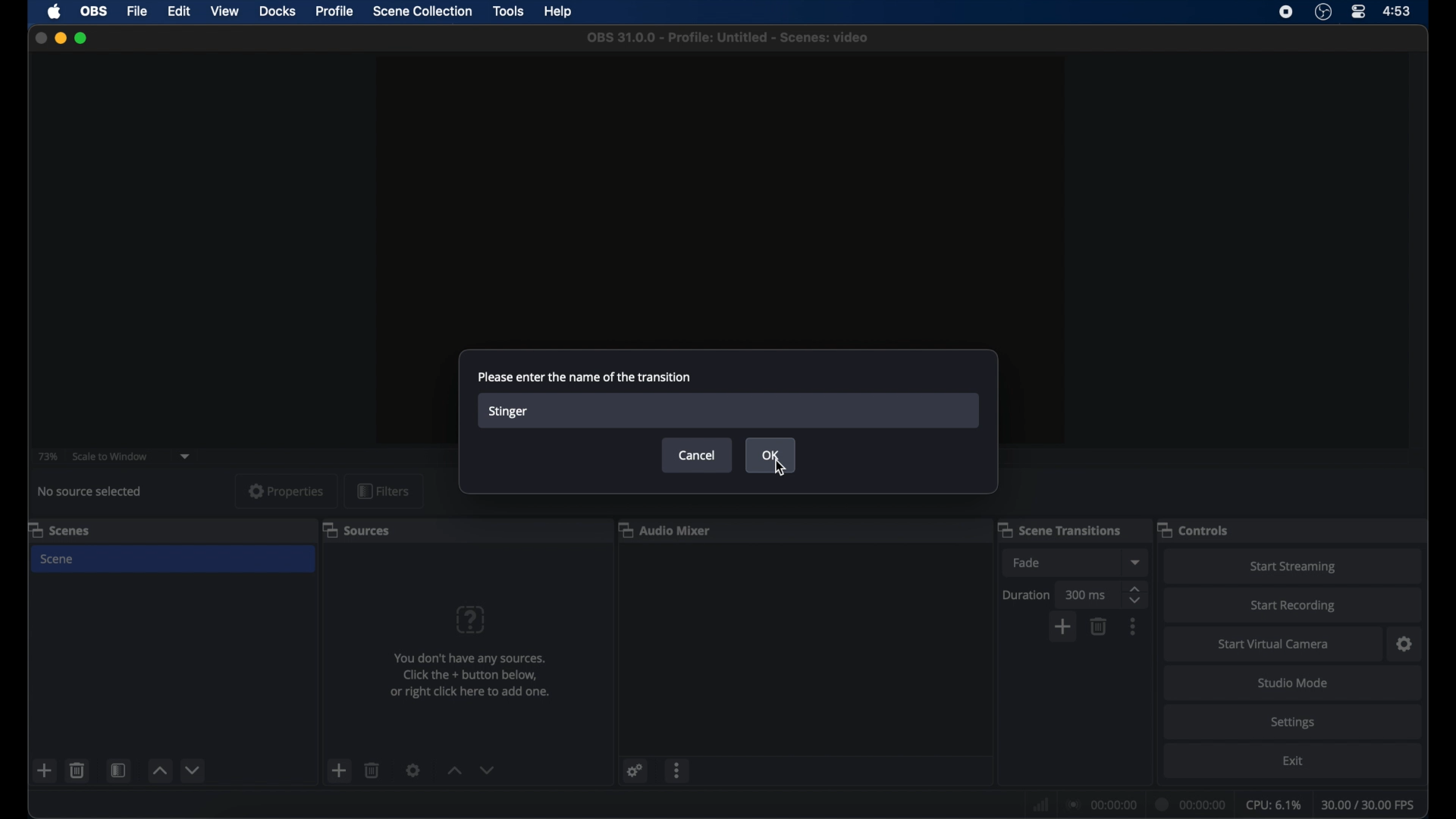  What do you see at coordinates (1293, 723) in the screenshot?
I see `settings` at bounding box center [1293, 723].